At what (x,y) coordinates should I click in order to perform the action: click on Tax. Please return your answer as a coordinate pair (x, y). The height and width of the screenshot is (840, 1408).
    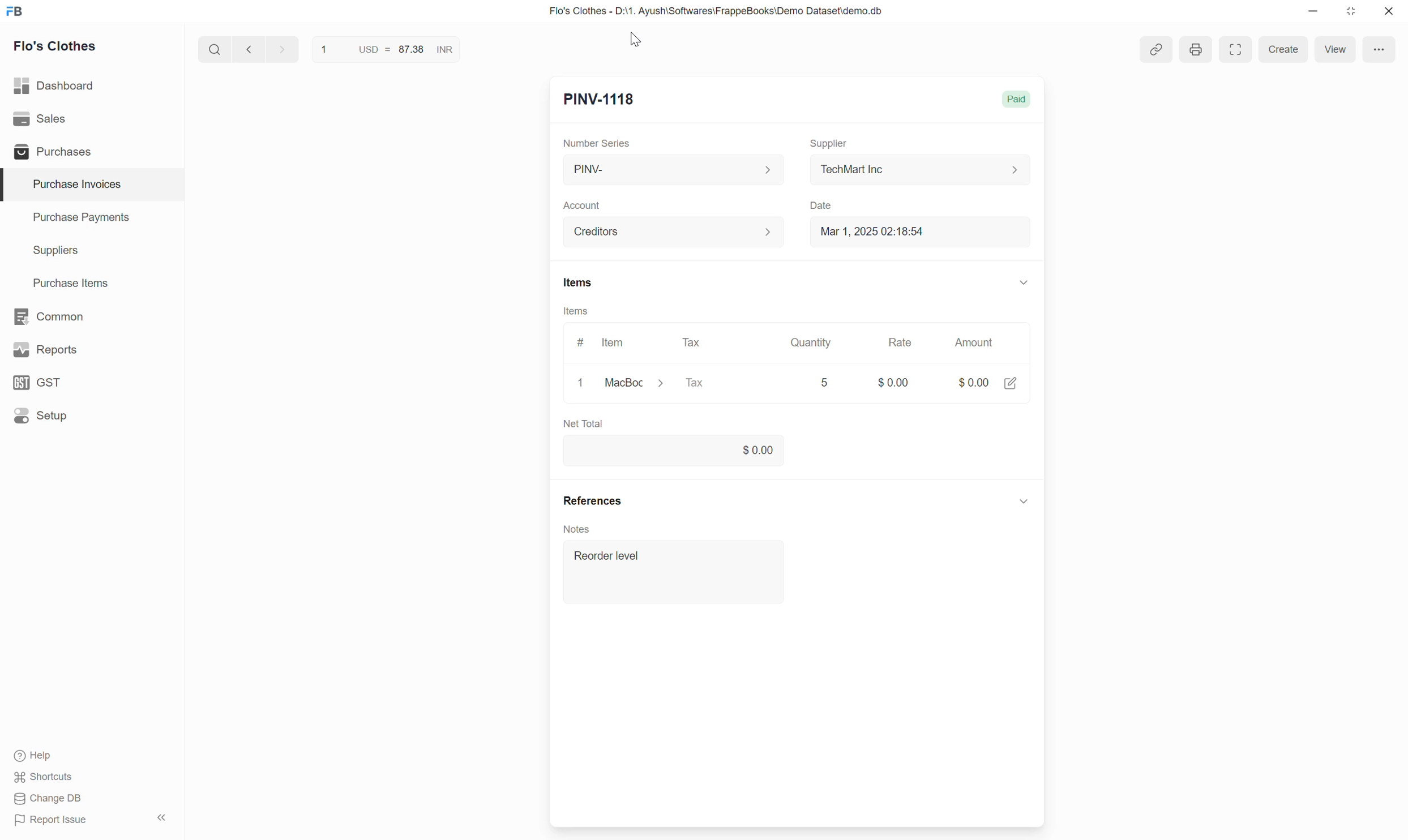
    Looking at the image, I should click on (724, 384).